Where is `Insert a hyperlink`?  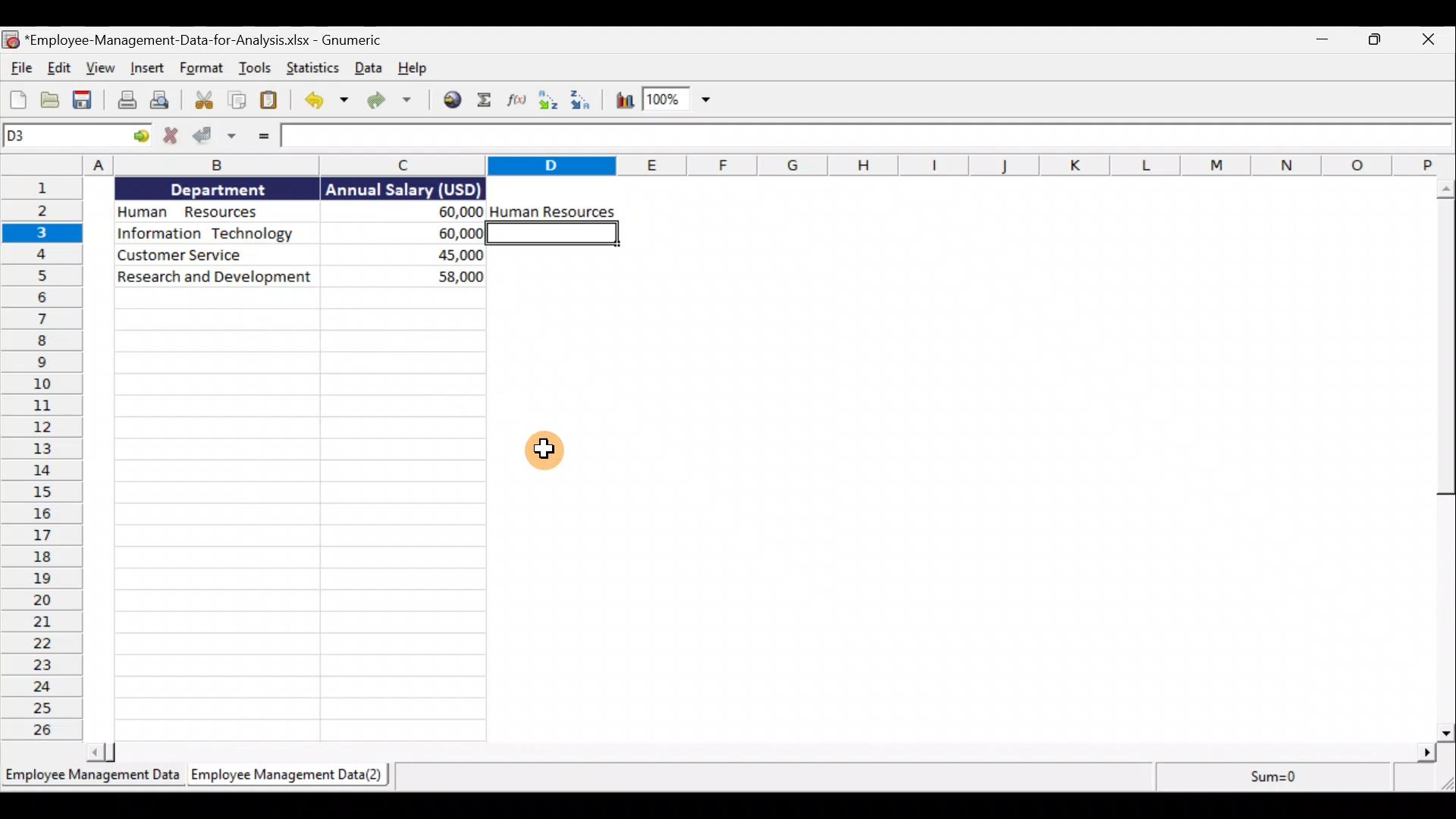 Insert a hyperlink is located at coordinates (454, 100).